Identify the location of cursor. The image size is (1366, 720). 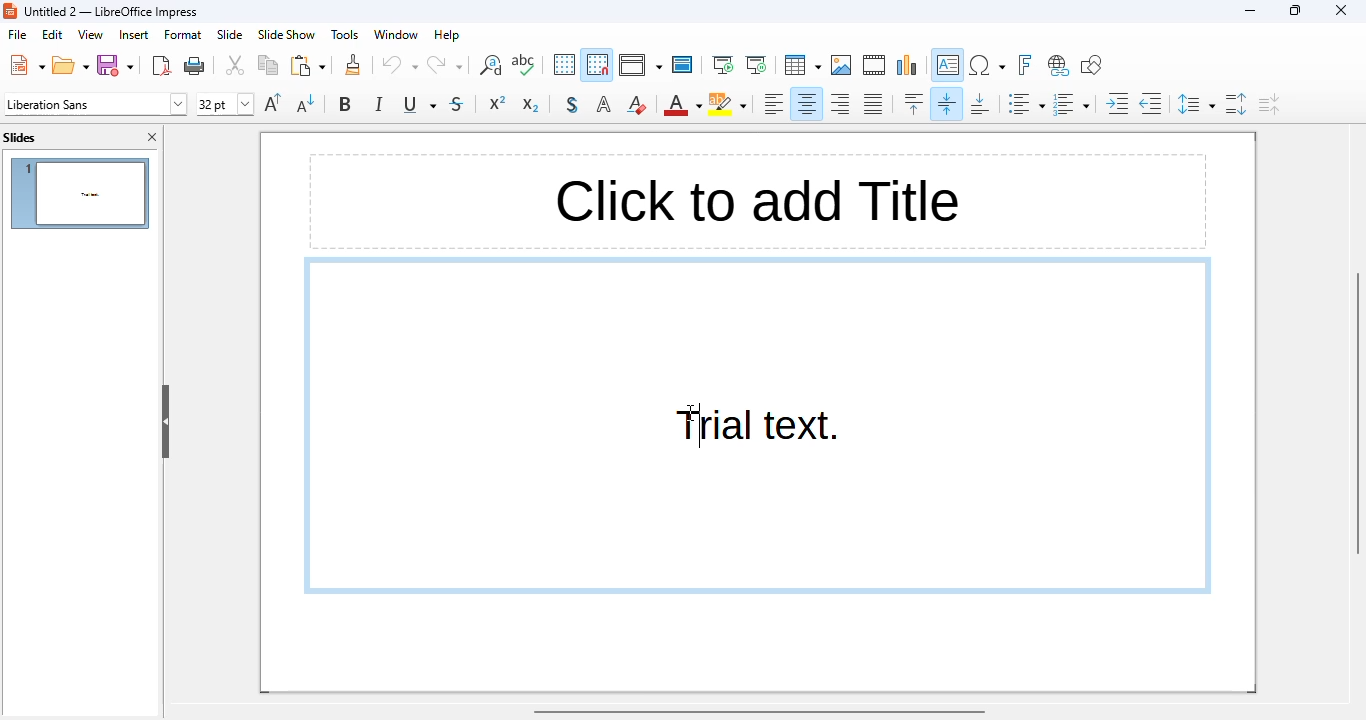
(691, 413).